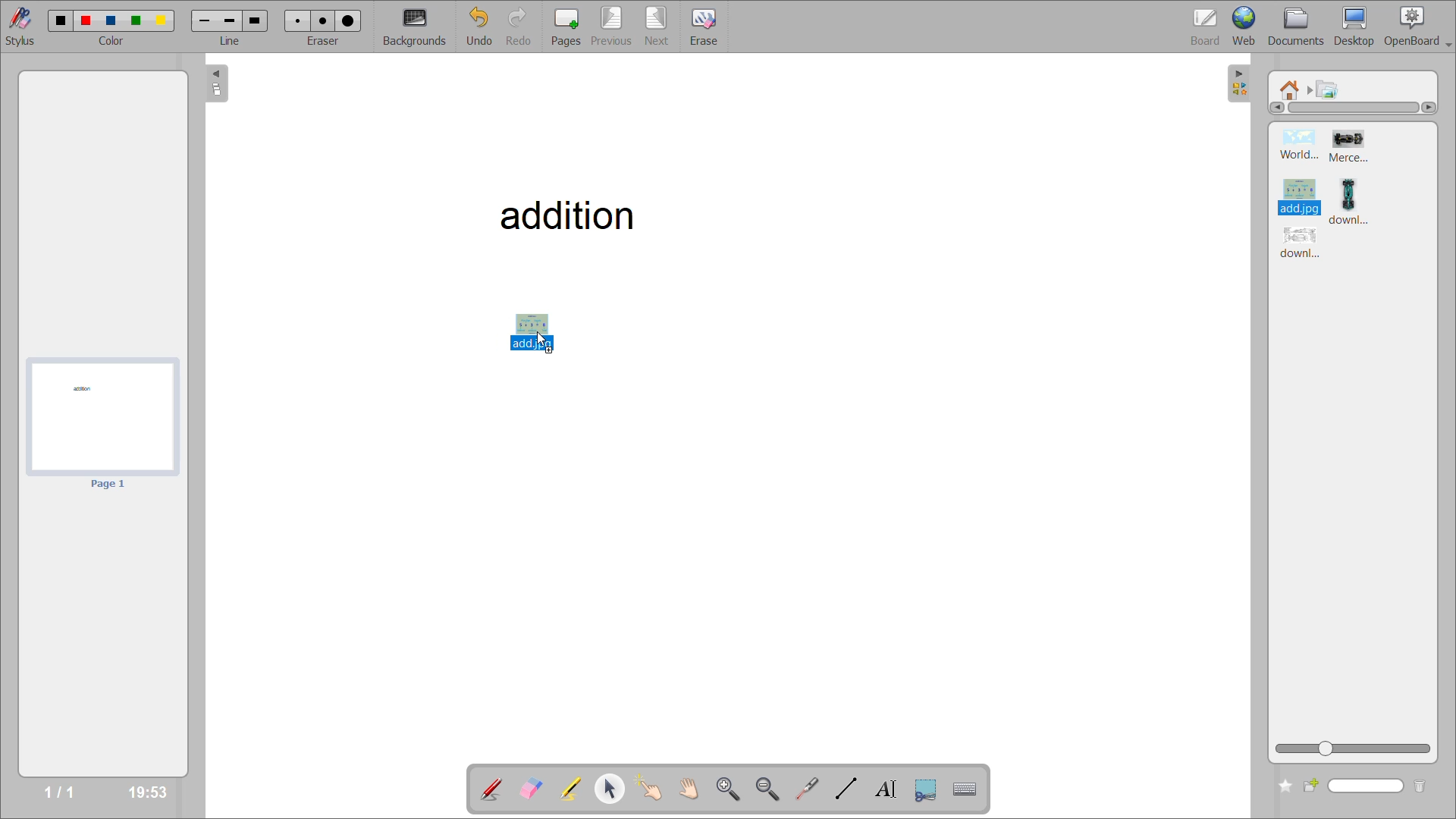 The width and height of the screenshot is (1456, 819). I want to click on draw lines, so click(849, 790).